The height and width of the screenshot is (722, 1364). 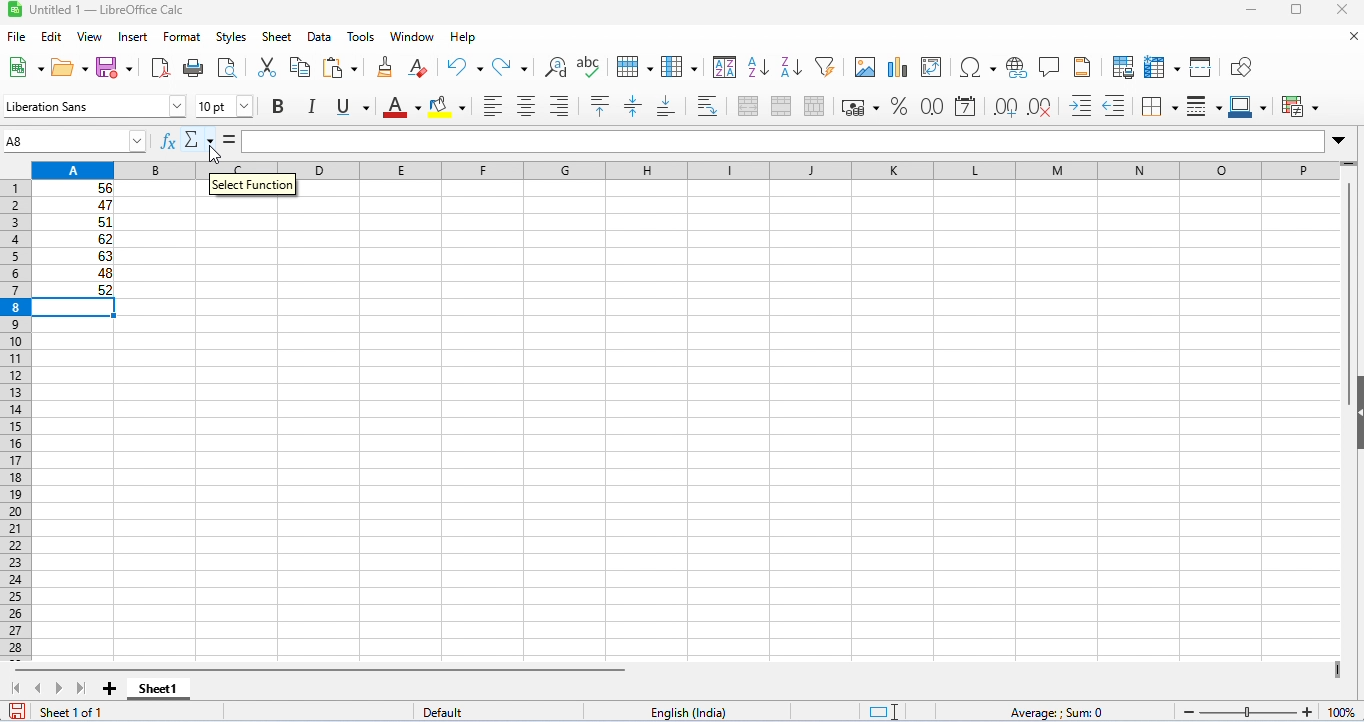 I want to click on print, so click(x=192, y=67).